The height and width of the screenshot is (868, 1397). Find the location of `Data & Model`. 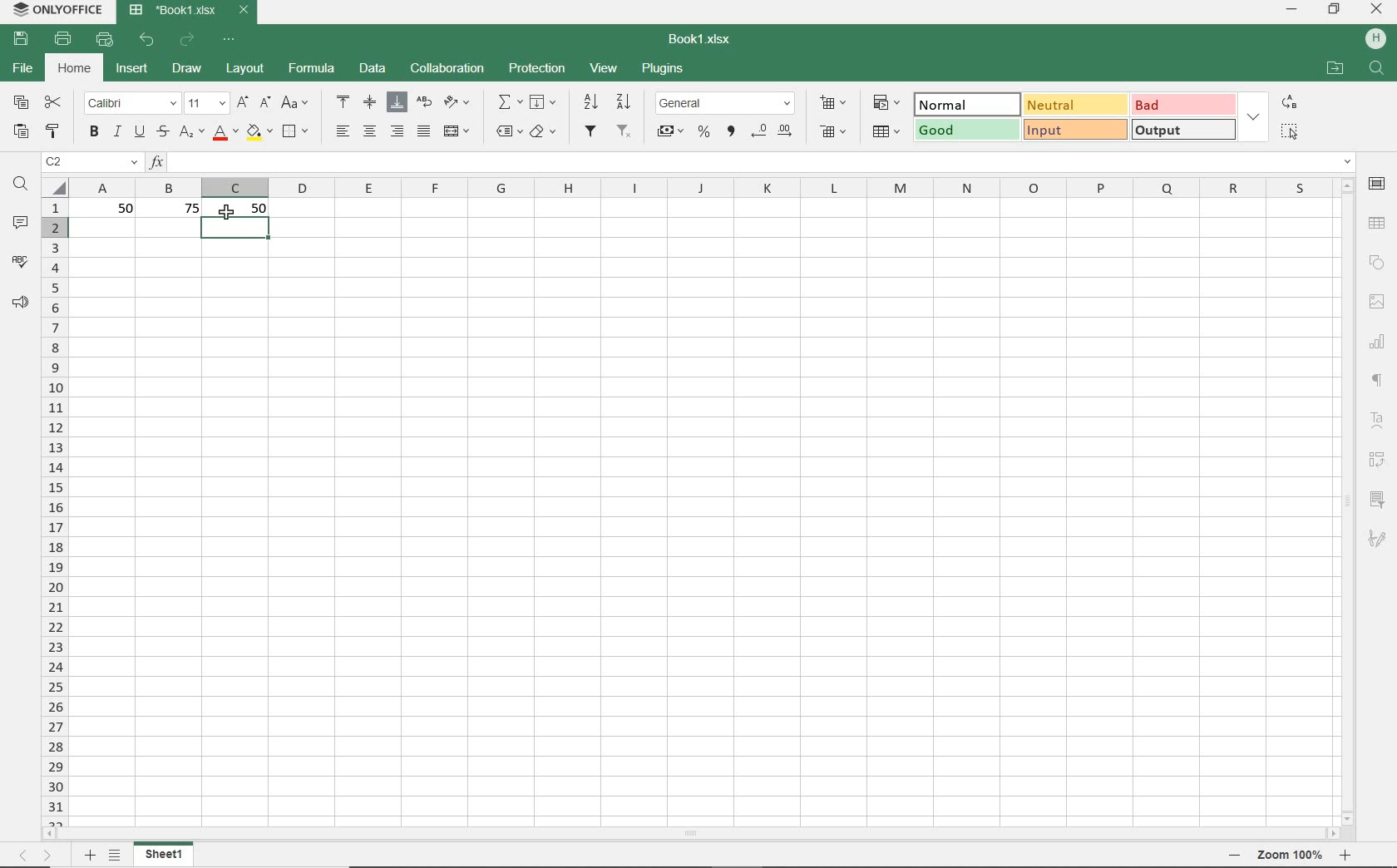

Data & Model is located at coordinates (1074, 116).